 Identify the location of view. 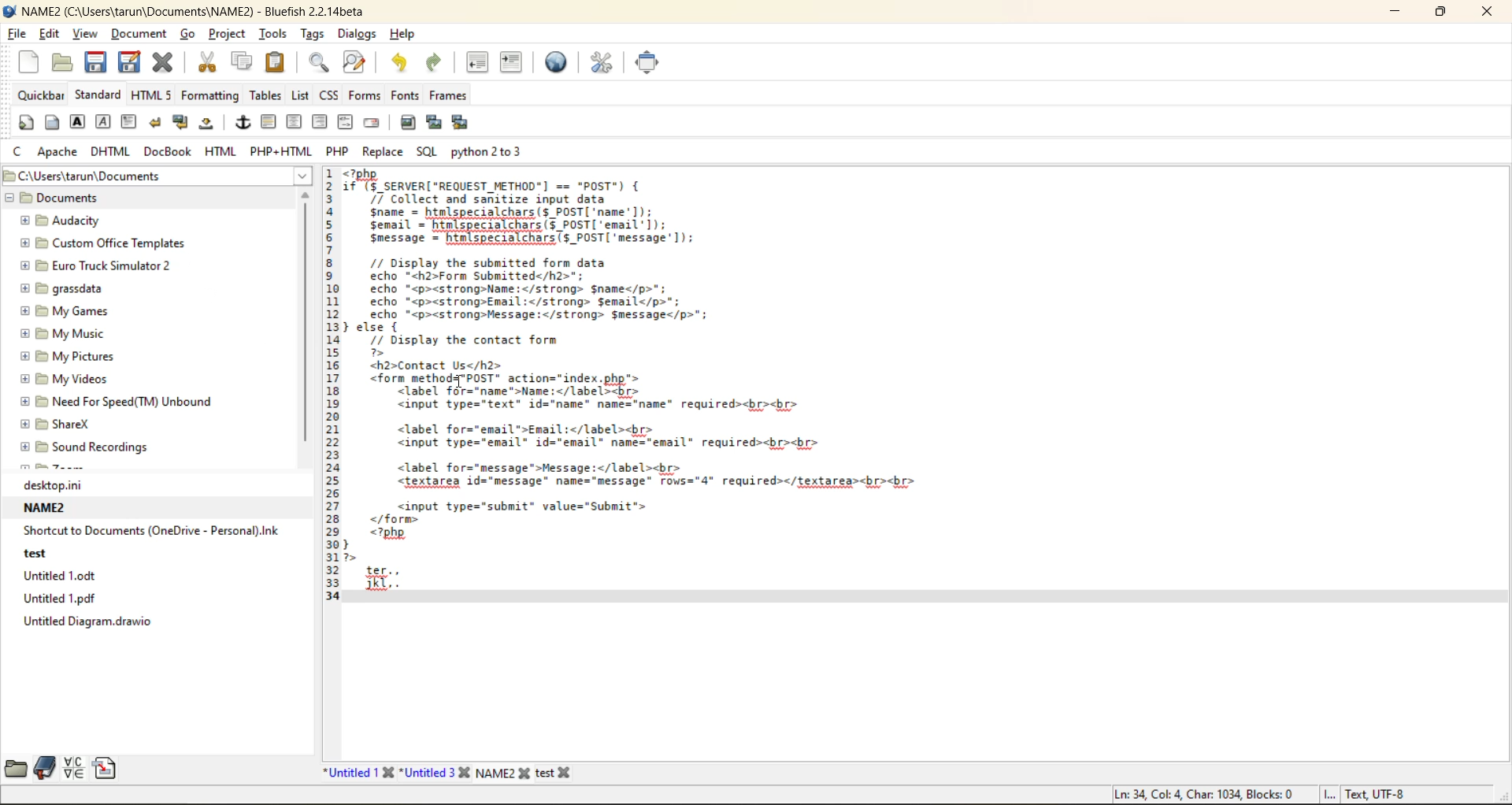
(86, 32).